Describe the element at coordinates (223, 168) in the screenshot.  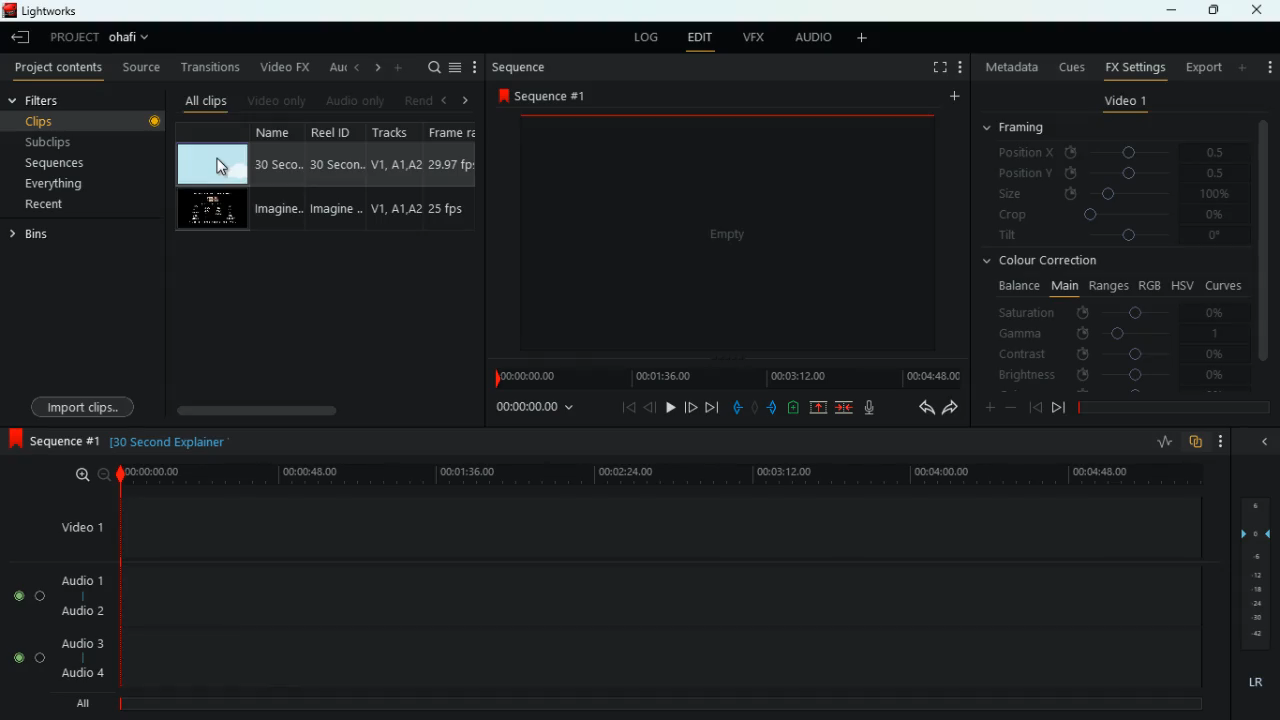
I see `Cursor` at that location.